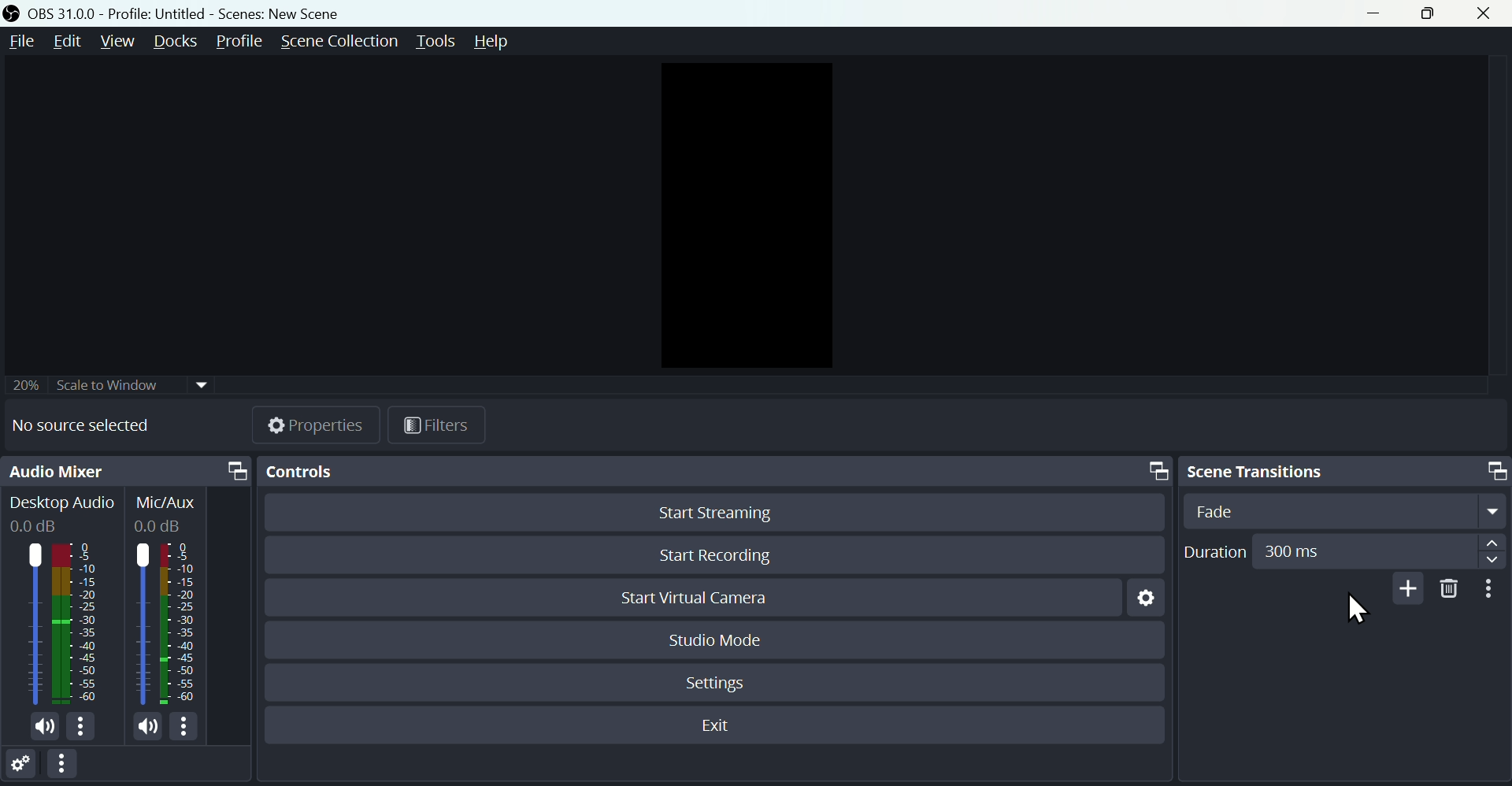 This screenshot has width=1512, height=786. Describe the element at coordinates (1358, 610) in the screenshot. I see `Cursor` at that location.